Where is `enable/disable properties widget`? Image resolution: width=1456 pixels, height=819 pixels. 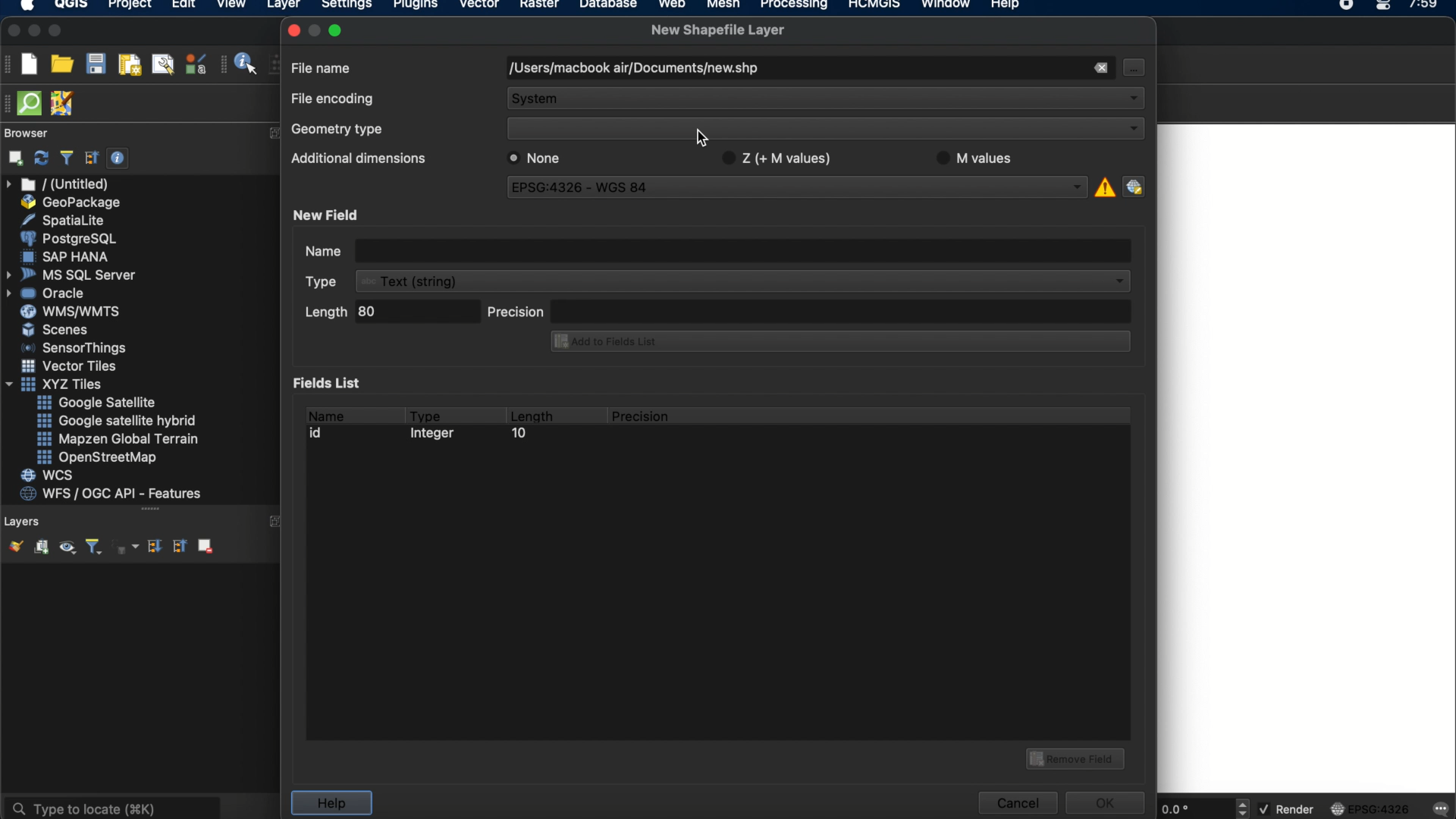 enable/disable properties widget is located at coordinates (118, 158).